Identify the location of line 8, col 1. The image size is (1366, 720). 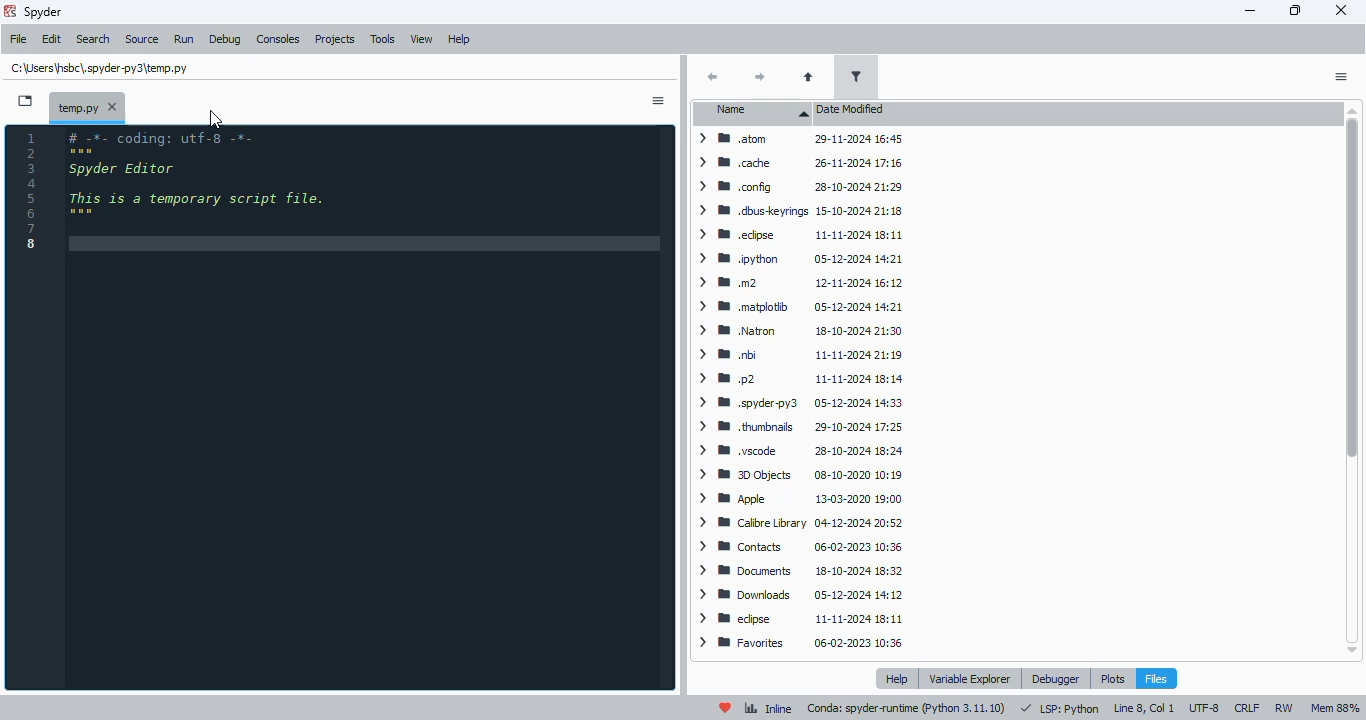
(1144, 708).